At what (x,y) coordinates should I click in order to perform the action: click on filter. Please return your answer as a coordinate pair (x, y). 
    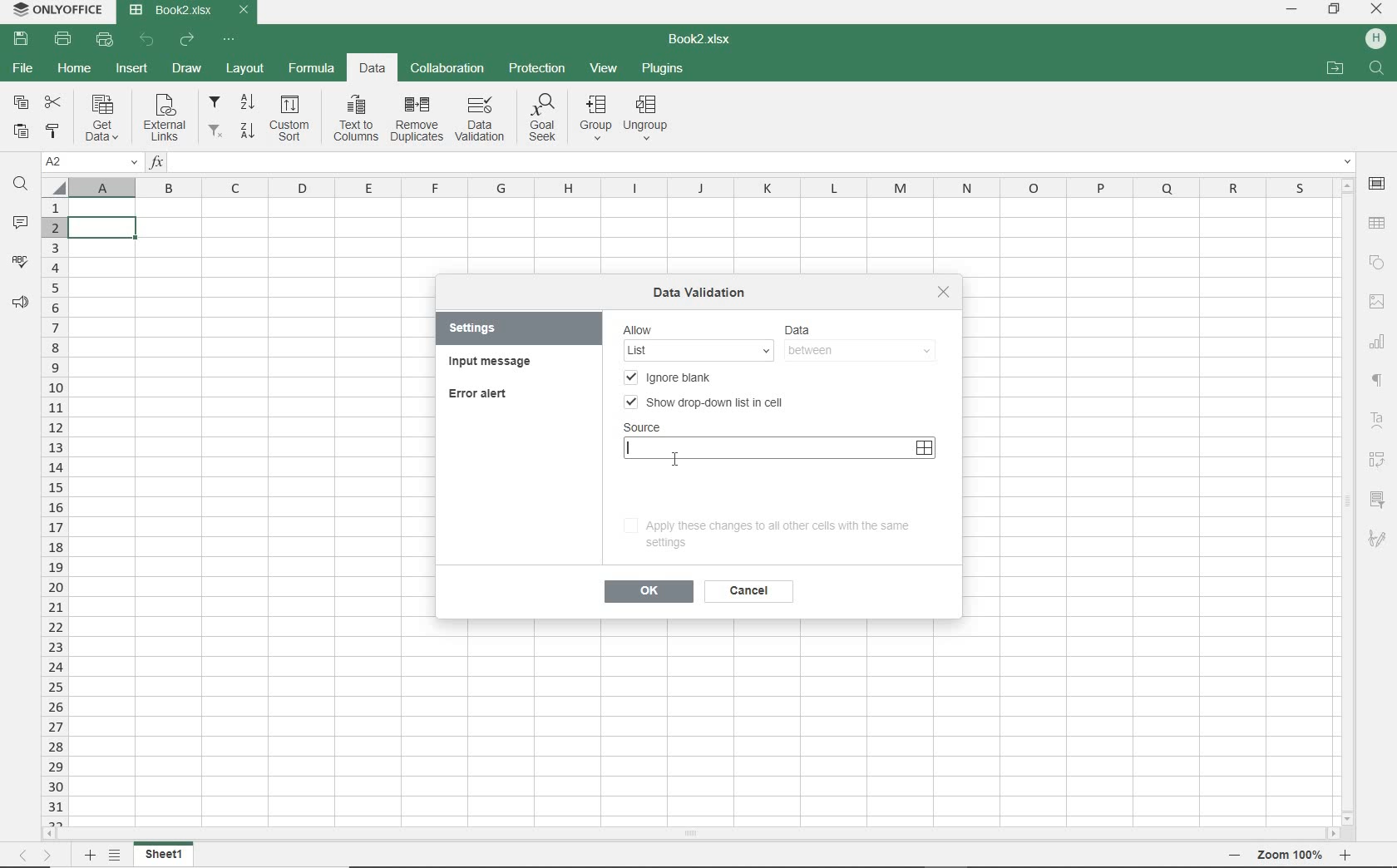
    Looking at the image, I should click on (216, 102).